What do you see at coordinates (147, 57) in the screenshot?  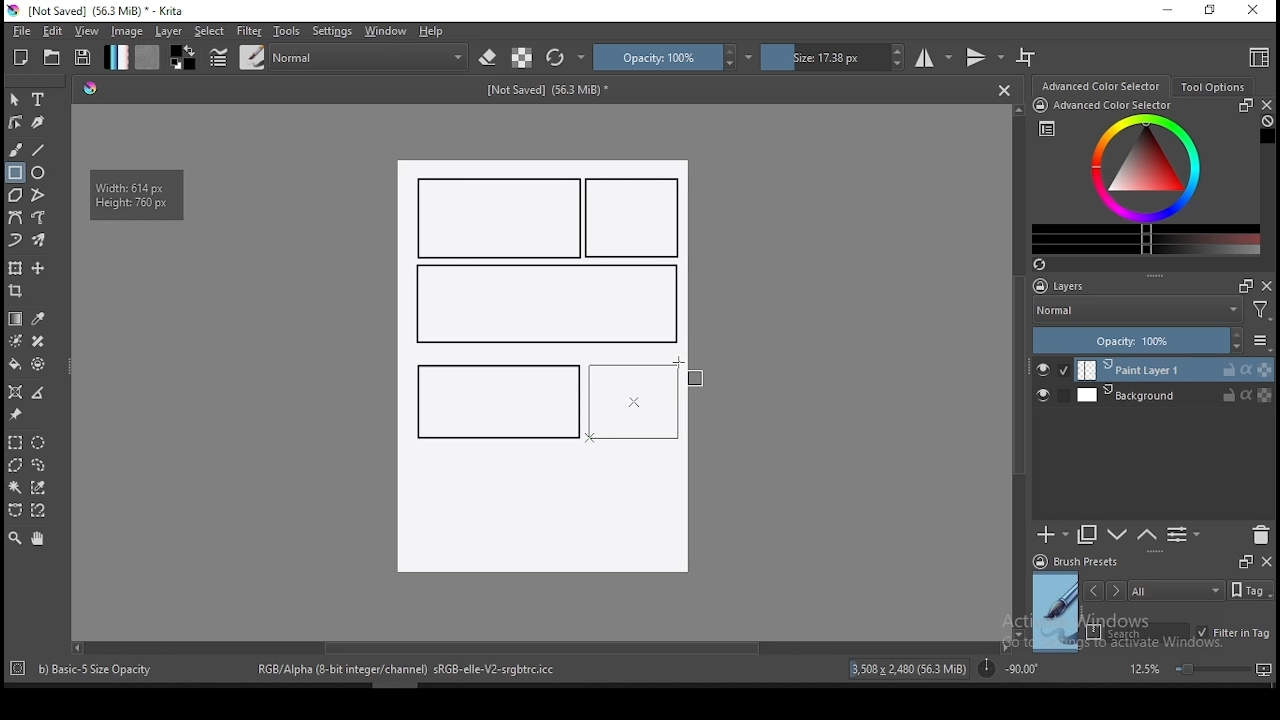 I see `pattern` at bounding box center [147, 57].